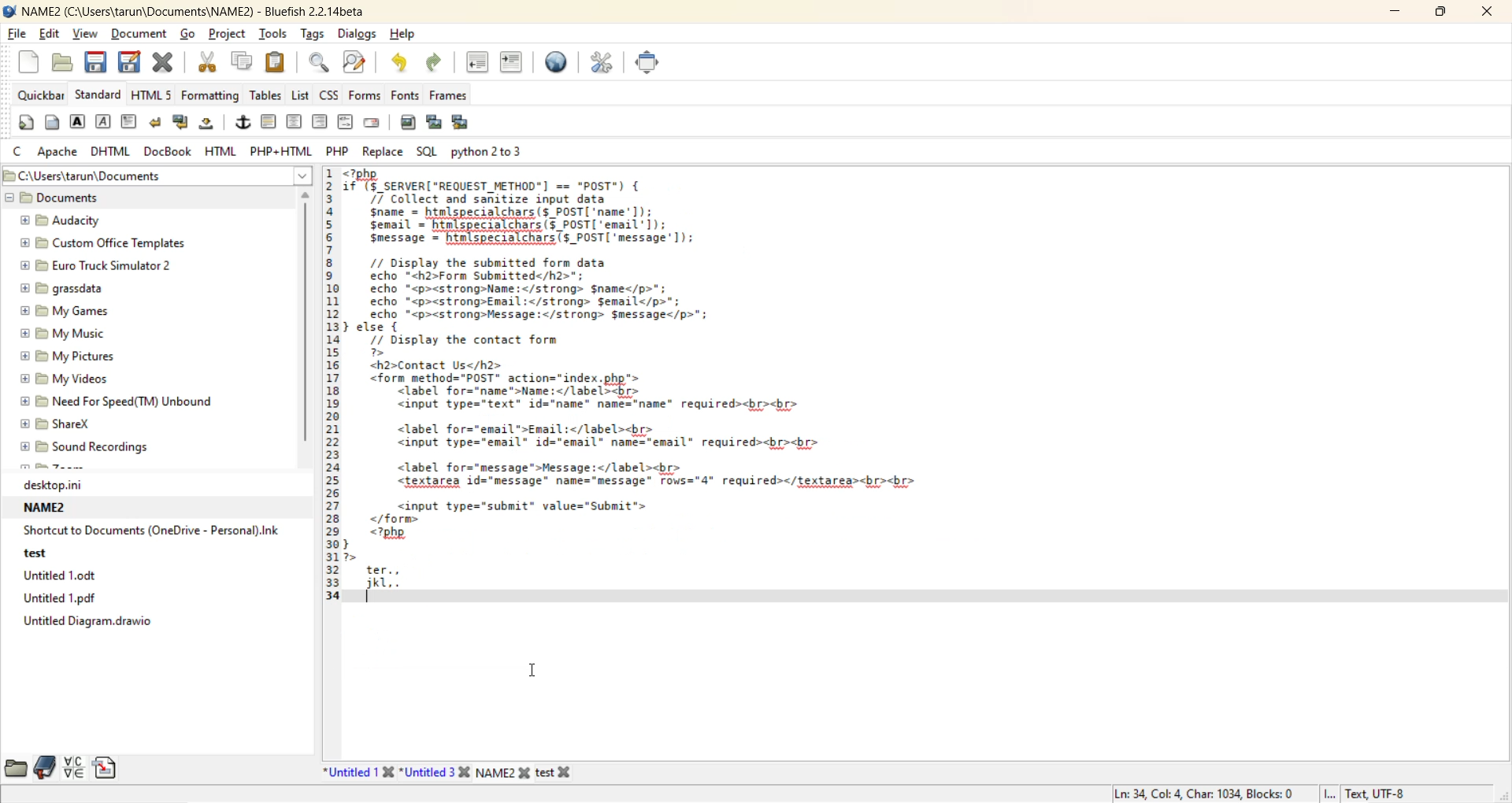 The image size is (1512, 803). Describe the element at coordinates (155, 125) in the screenshot. I see `break` at that location.